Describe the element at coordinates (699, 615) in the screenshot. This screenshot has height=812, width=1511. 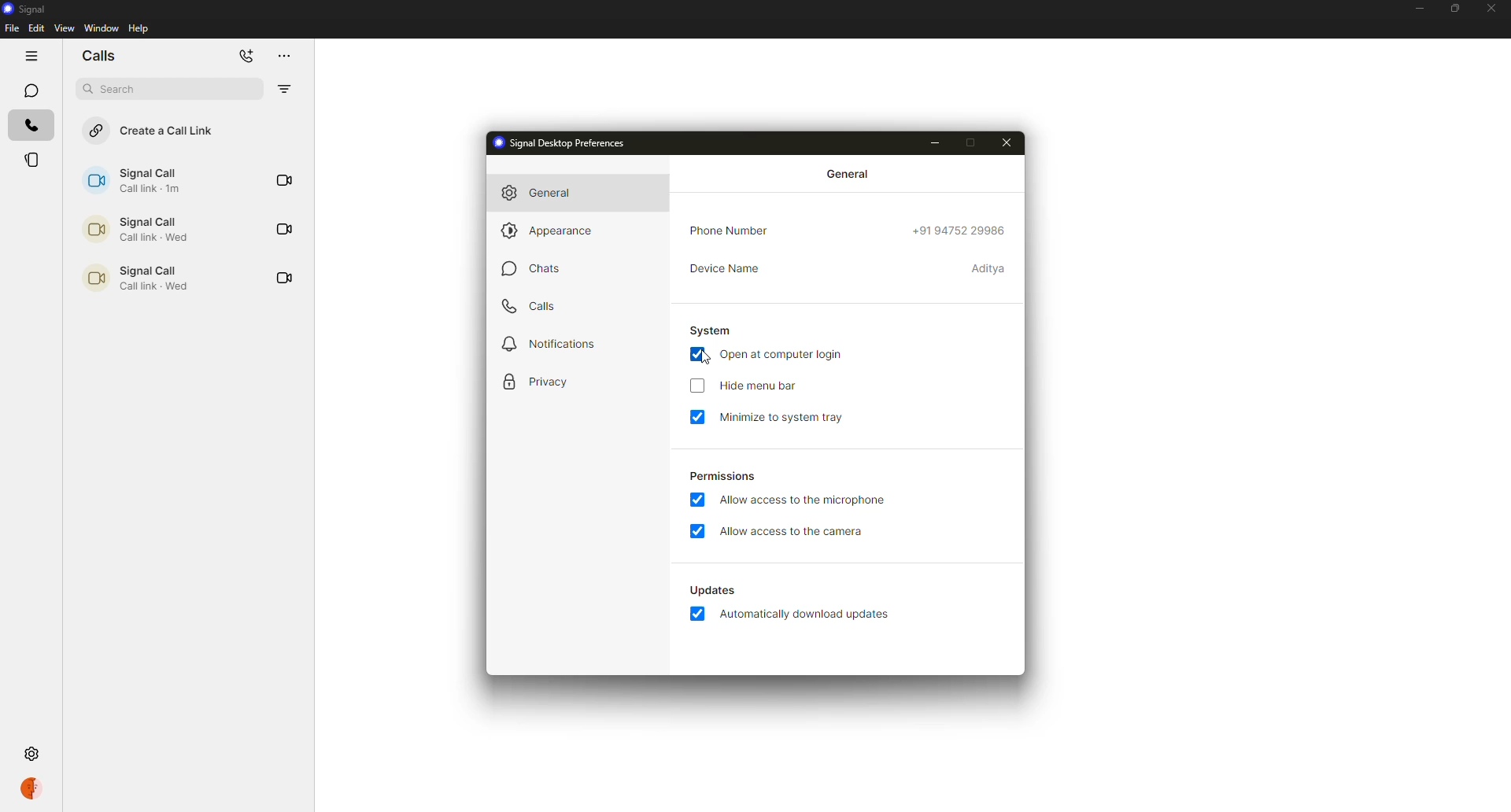
I see `enabled` at that location.